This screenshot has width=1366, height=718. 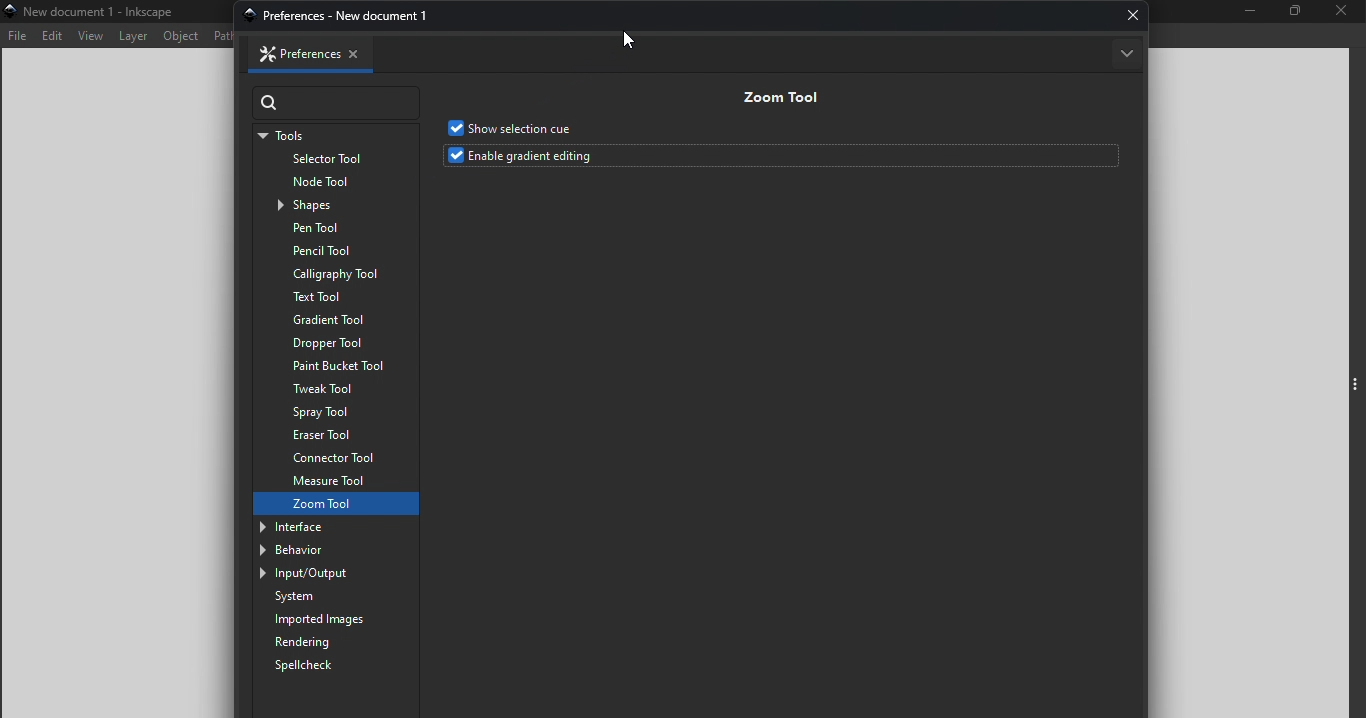 I want to click on Spray tool, so click(x=338, y=410).